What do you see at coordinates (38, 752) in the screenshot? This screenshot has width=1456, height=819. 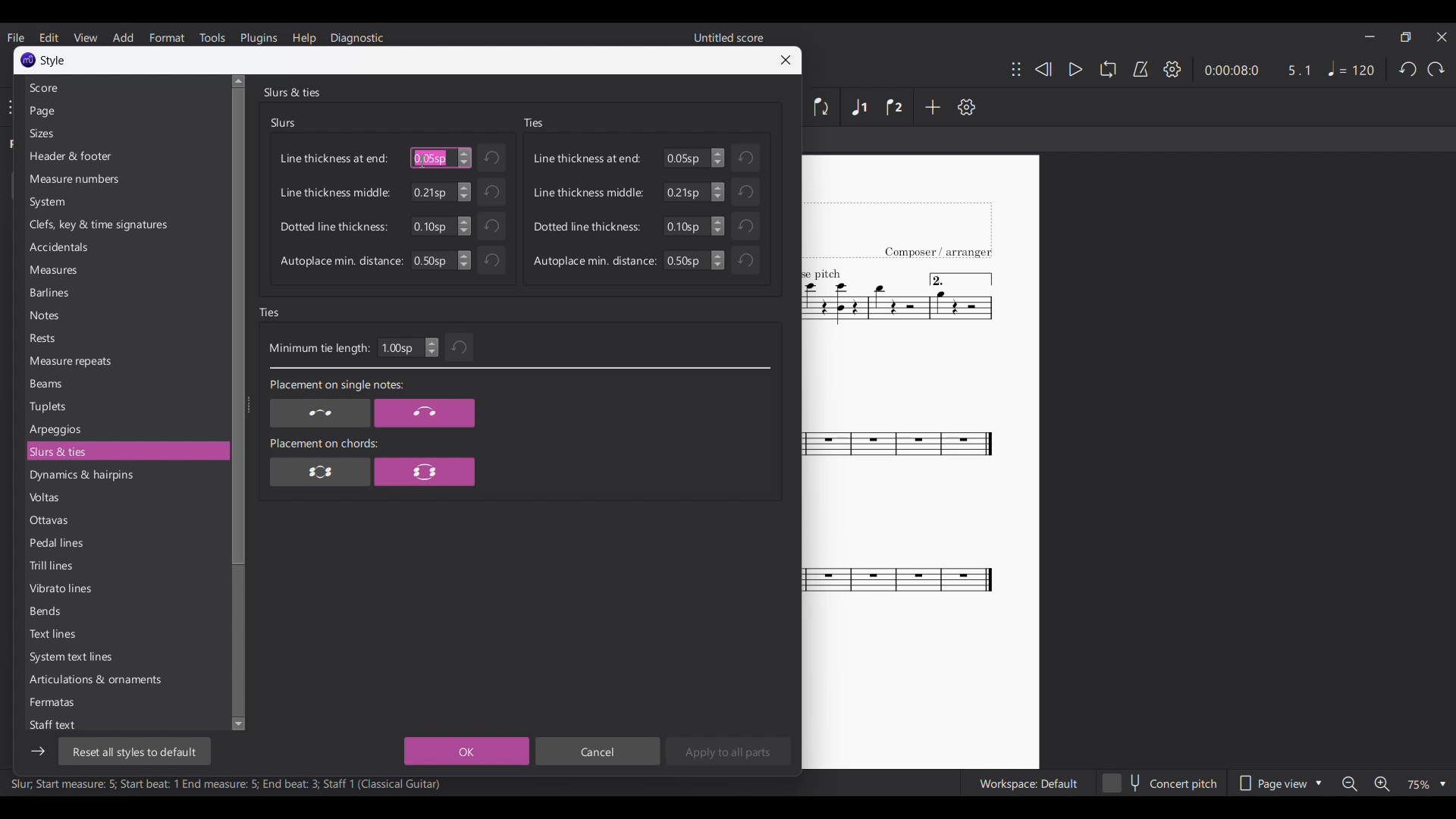 I see `Show/Hide side bar` at bounding box center [38, 752].